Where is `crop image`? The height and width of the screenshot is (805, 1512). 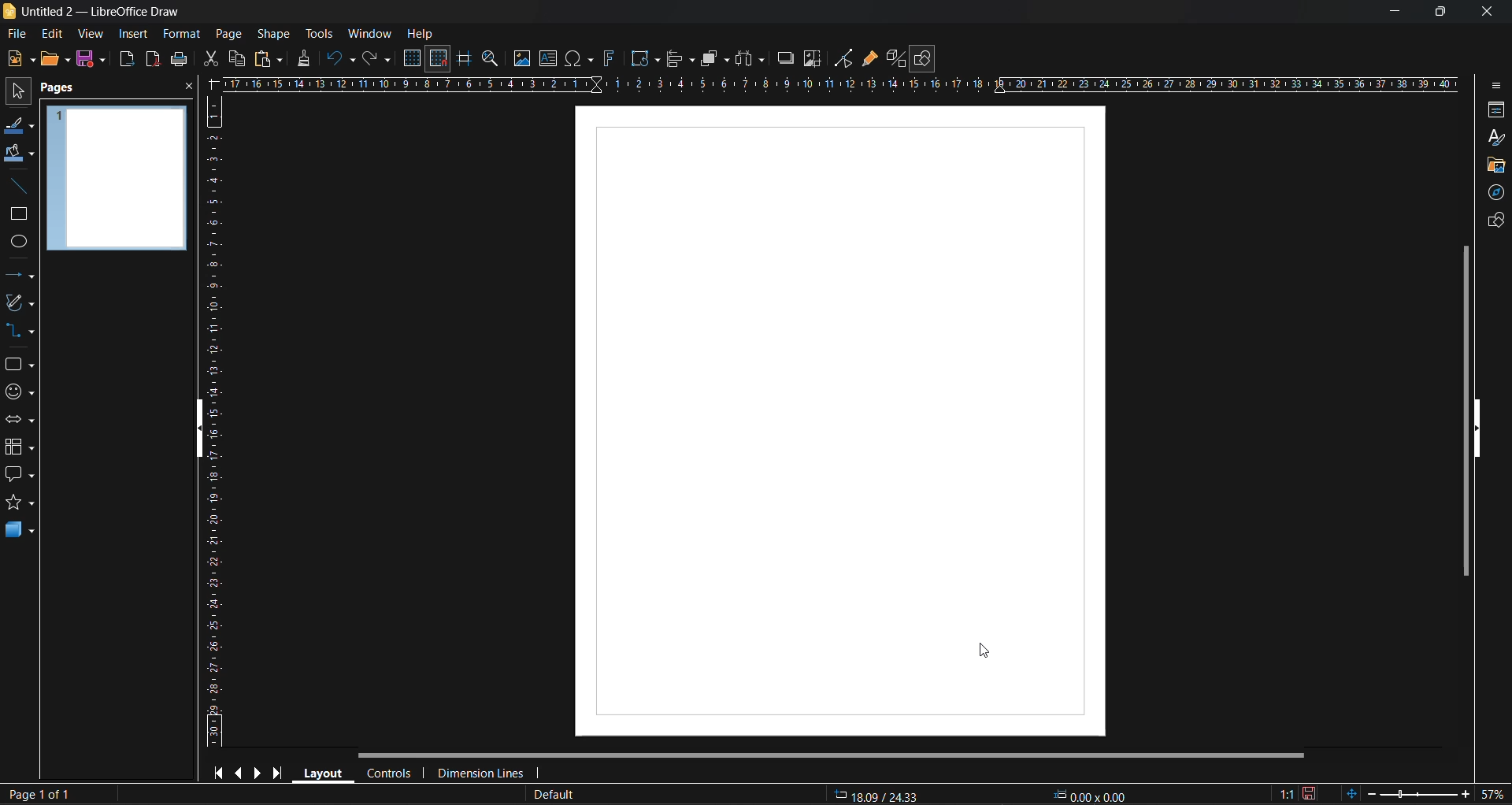
crop image is located at coordinates (812, 61).